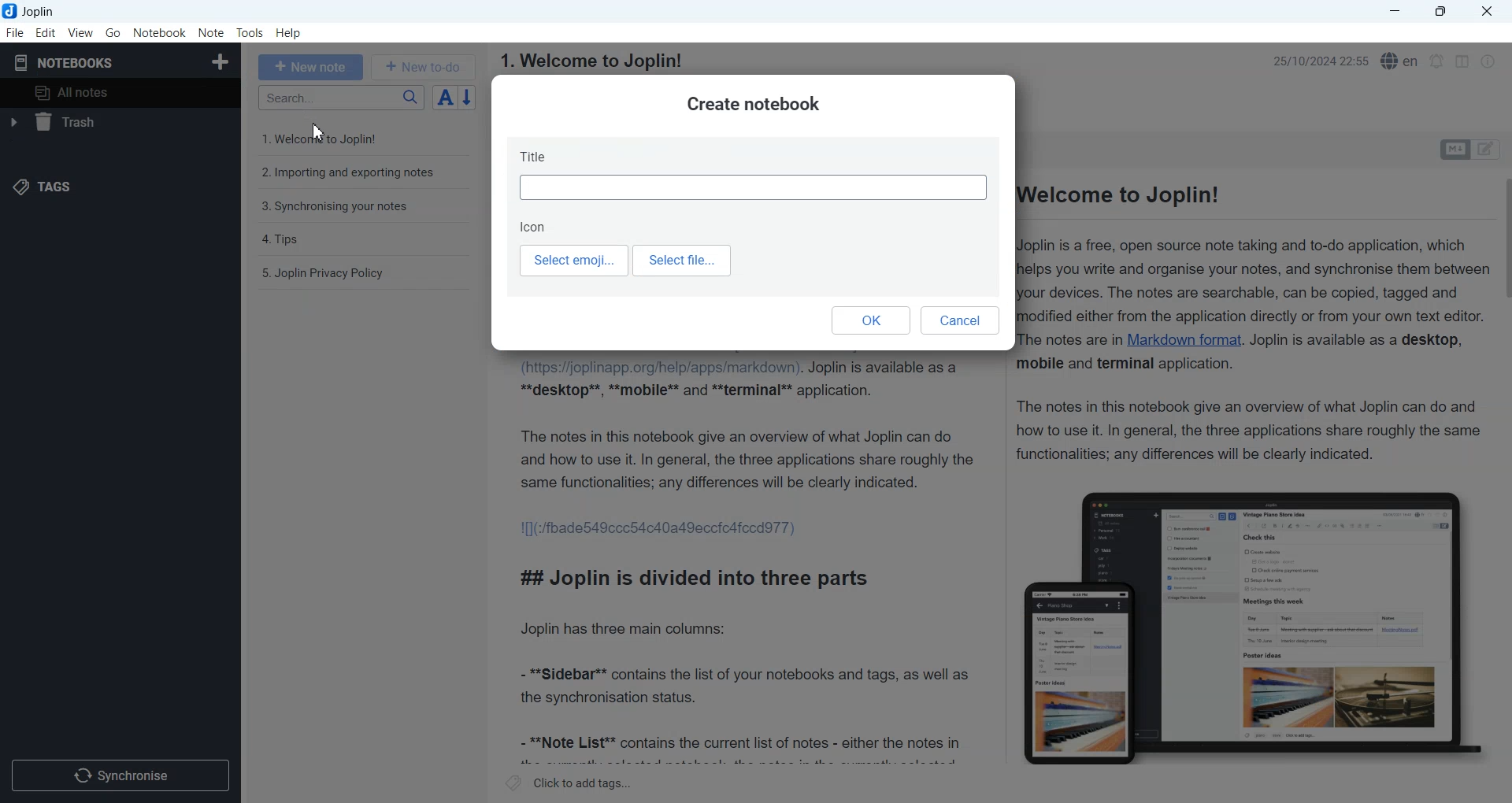  Describe the element at coordinates (445, 97) in the screenshot. I see `Toggle sort order field` at that location.